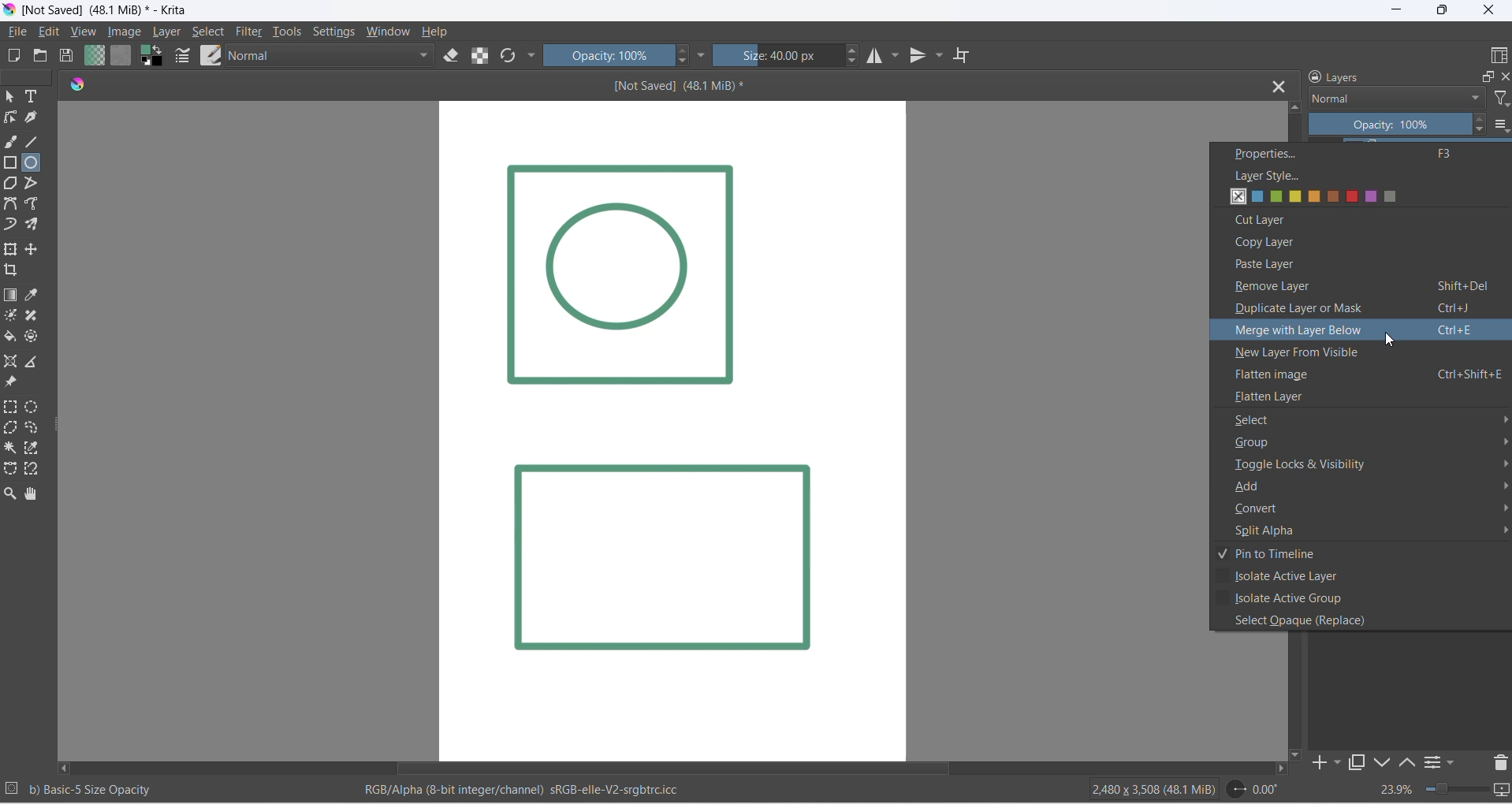 This screenshot has height=804, width=1512. Describe the element at coordinates (336, 33) in the screenshot. I see `settings` at that location.